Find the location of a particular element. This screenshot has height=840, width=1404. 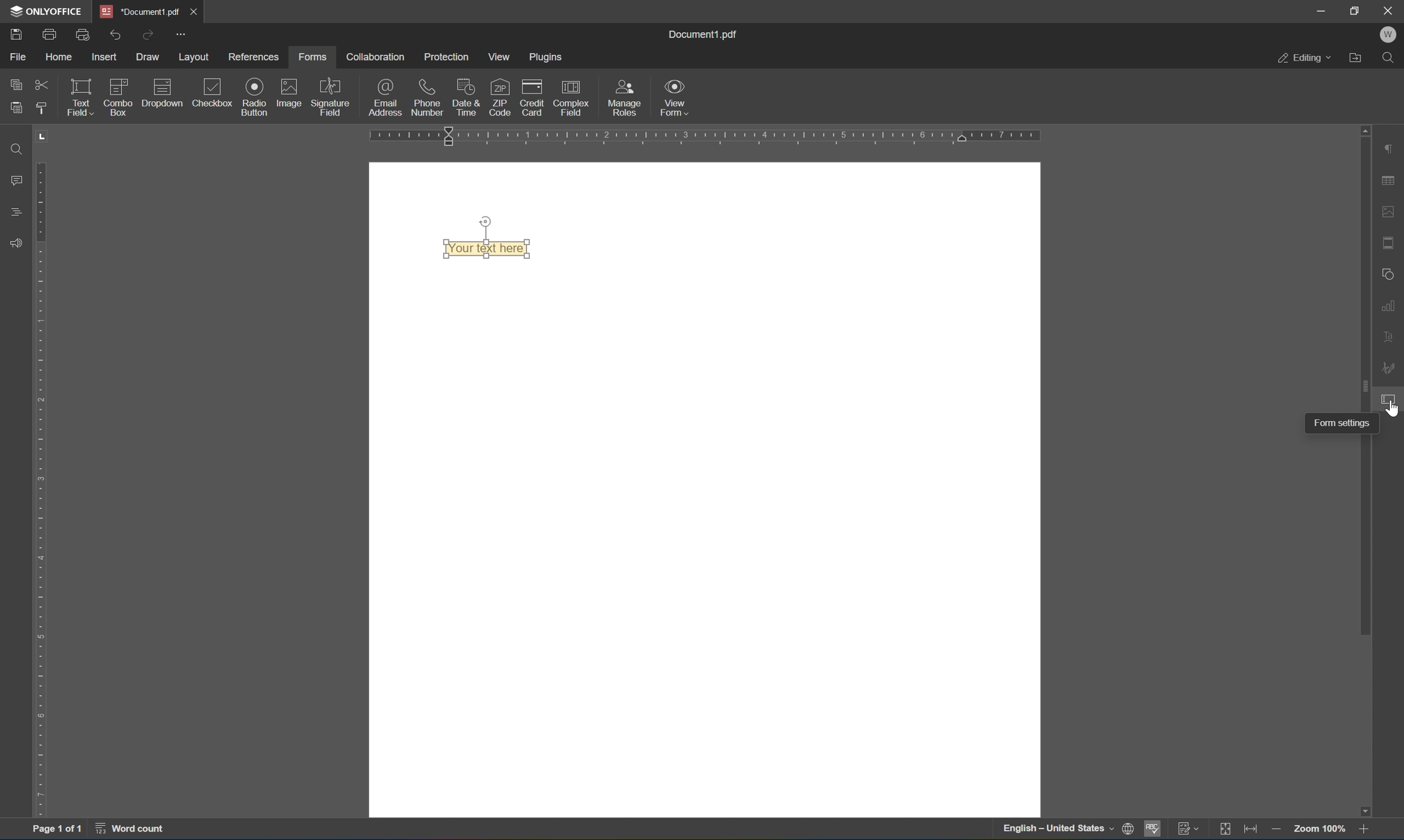

quick print is located at coordinates (81, 34).